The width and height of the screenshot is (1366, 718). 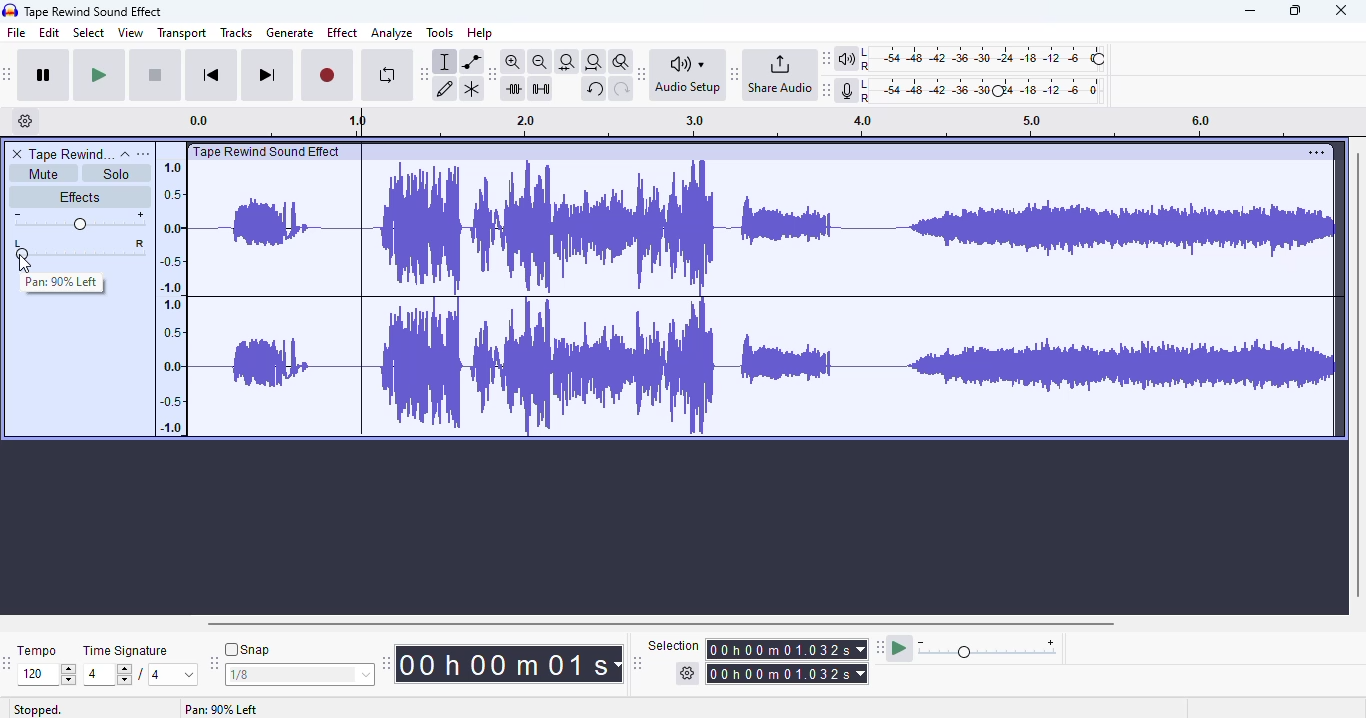 I want to click on pan, so click(x=91, y=248).